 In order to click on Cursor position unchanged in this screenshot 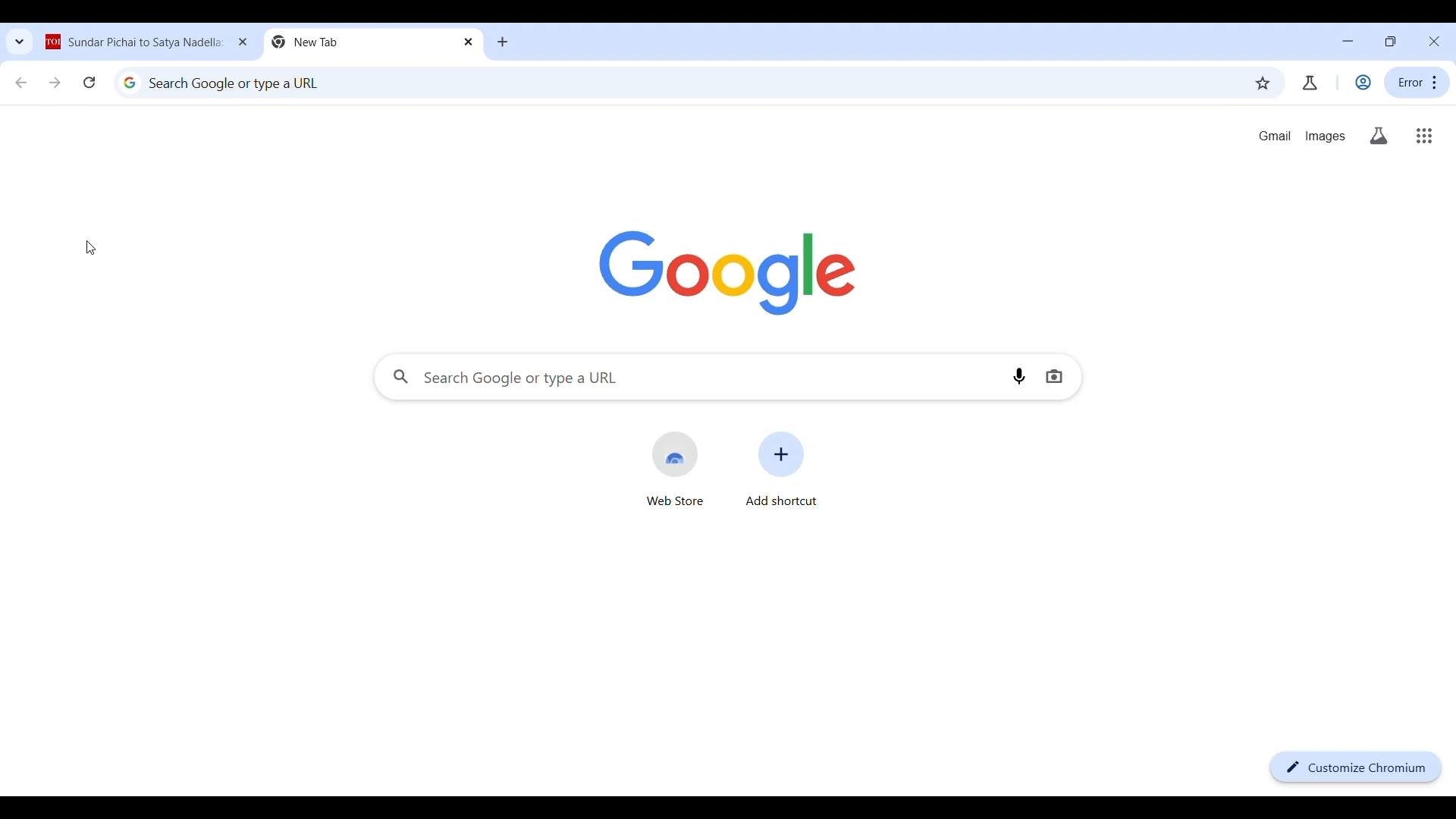, I will do `click(90, 247)`.